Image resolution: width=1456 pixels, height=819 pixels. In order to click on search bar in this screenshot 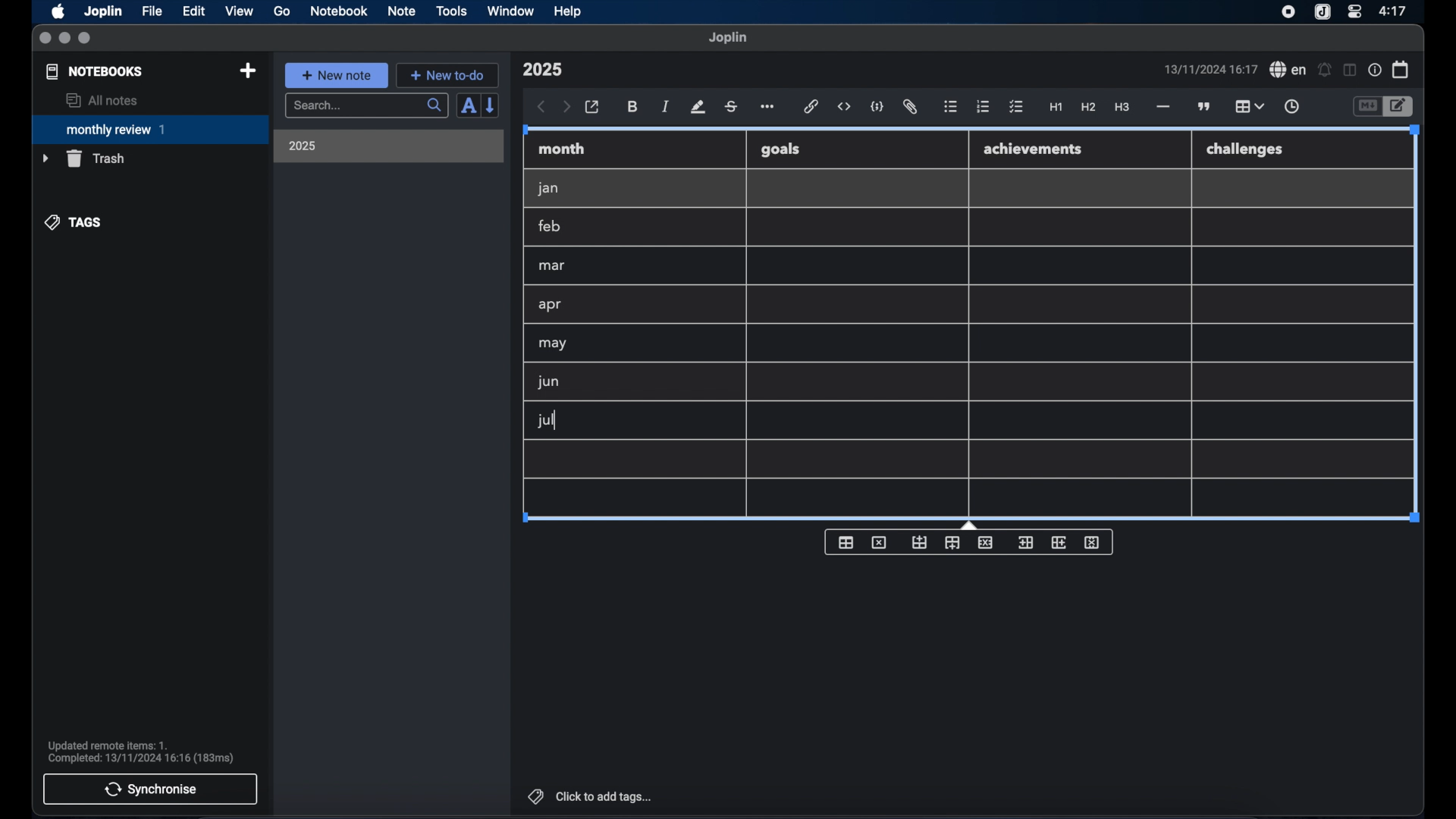, I will do `click(366, 107)`.